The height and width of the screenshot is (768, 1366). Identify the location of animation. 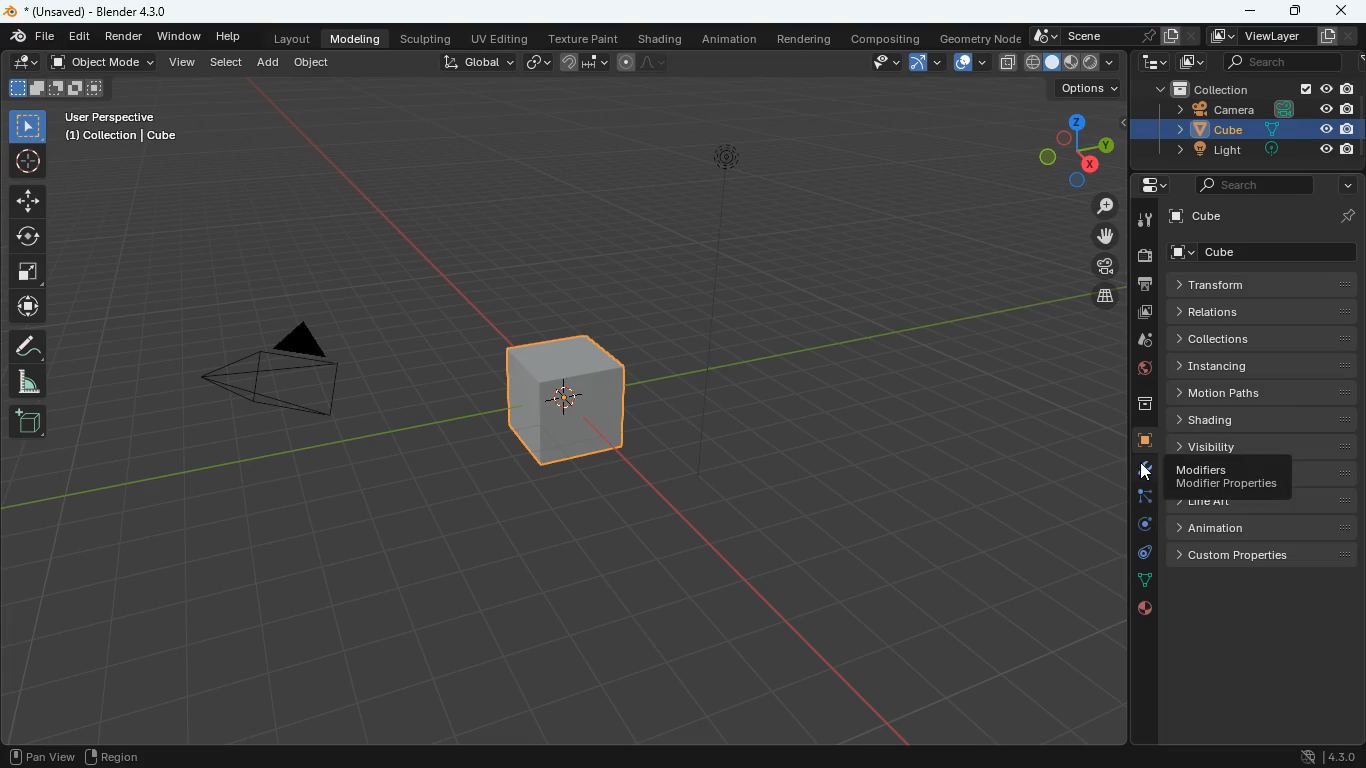
(1268, 526).